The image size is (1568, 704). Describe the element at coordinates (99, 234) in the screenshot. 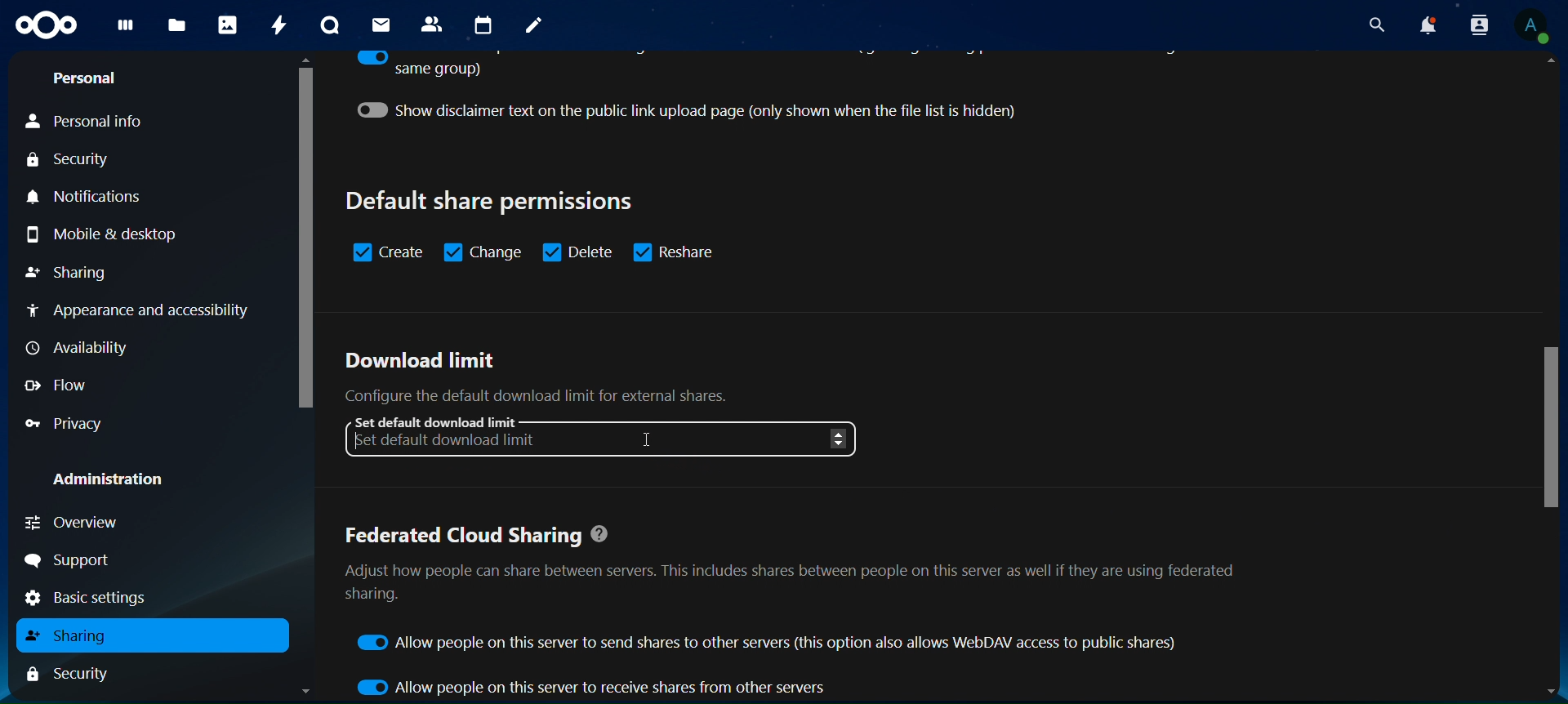

I see `mobile & desktop` at that location.